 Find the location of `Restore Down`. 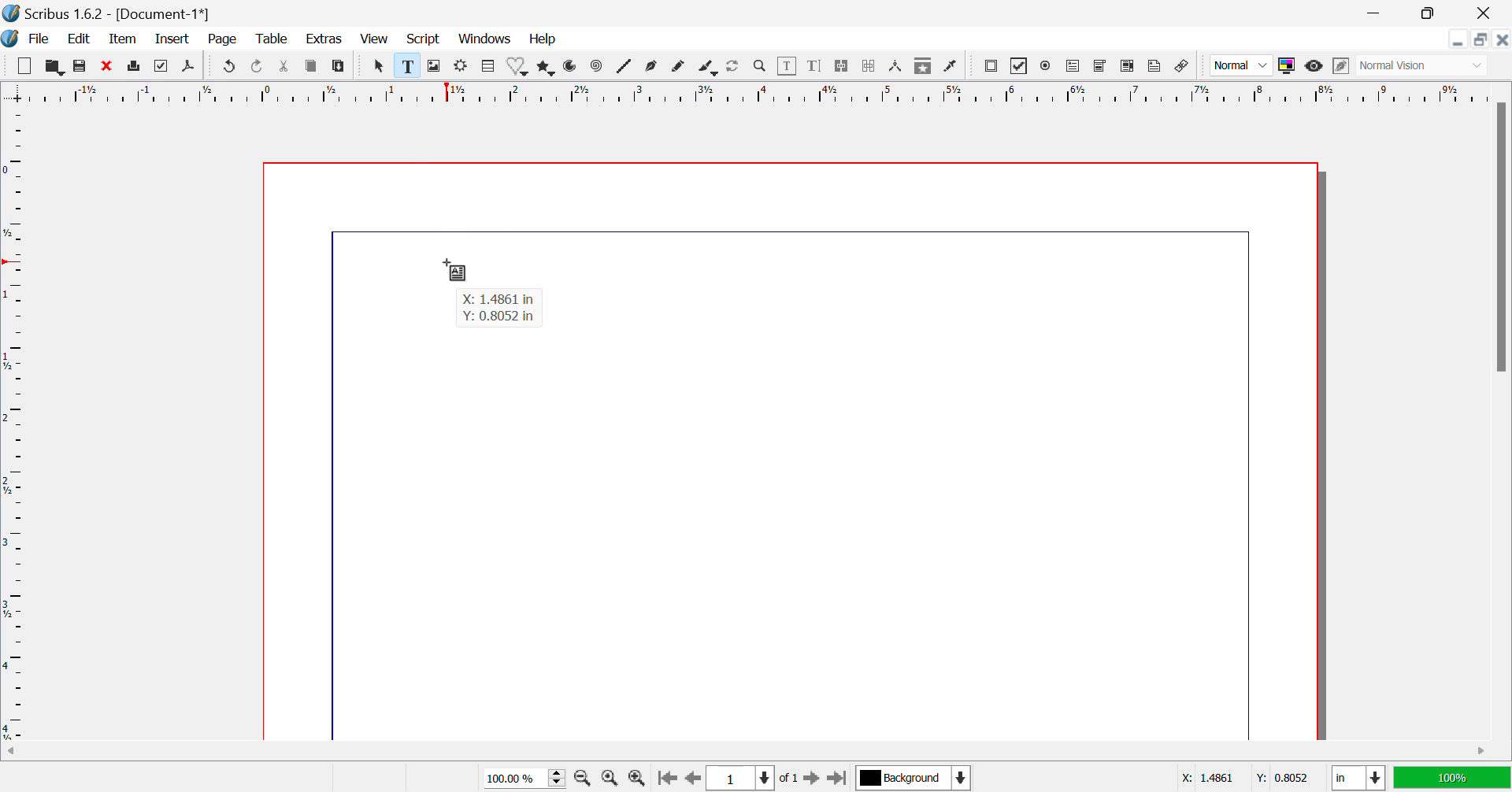

Restore Down is located at coordinates (1378, 12).